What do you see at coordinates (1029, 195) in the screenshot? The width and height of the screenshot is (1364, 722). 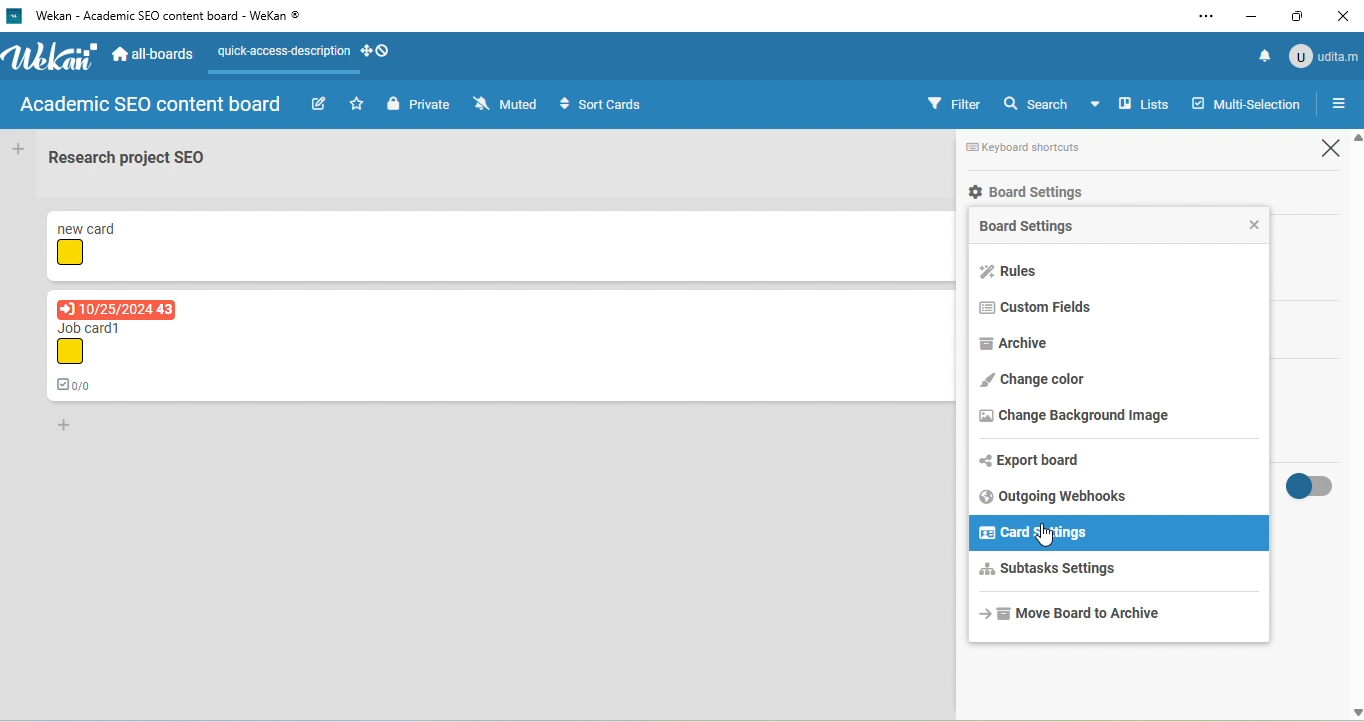 I see `board settings` at bounding box center [1029, 195].